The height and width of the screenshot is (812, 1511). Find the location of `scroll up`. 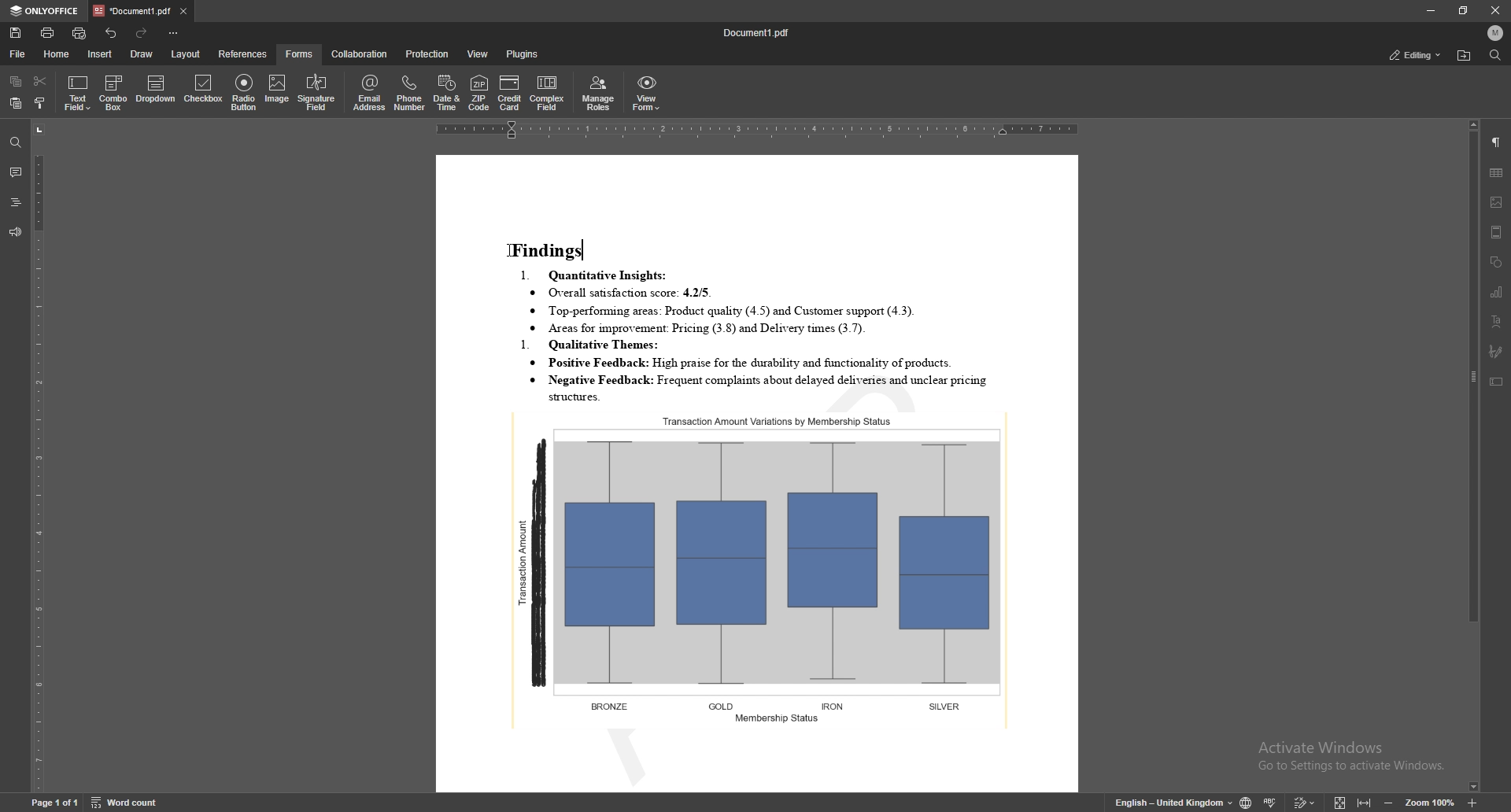

scroll up is located at coordinates (1472, 125).